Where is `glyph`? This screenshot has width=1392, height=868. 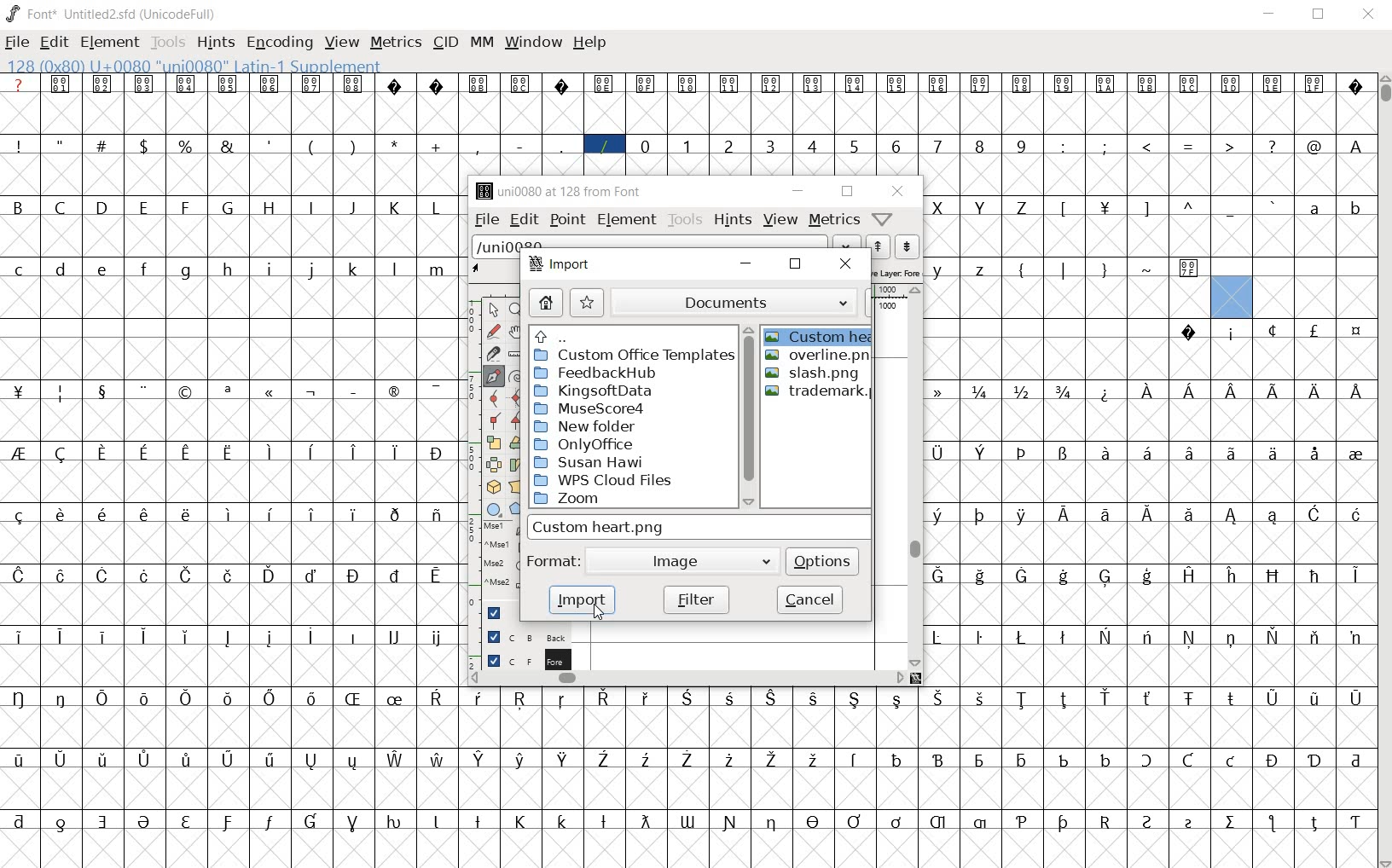 glyph is located at coordinates (1022, 822).